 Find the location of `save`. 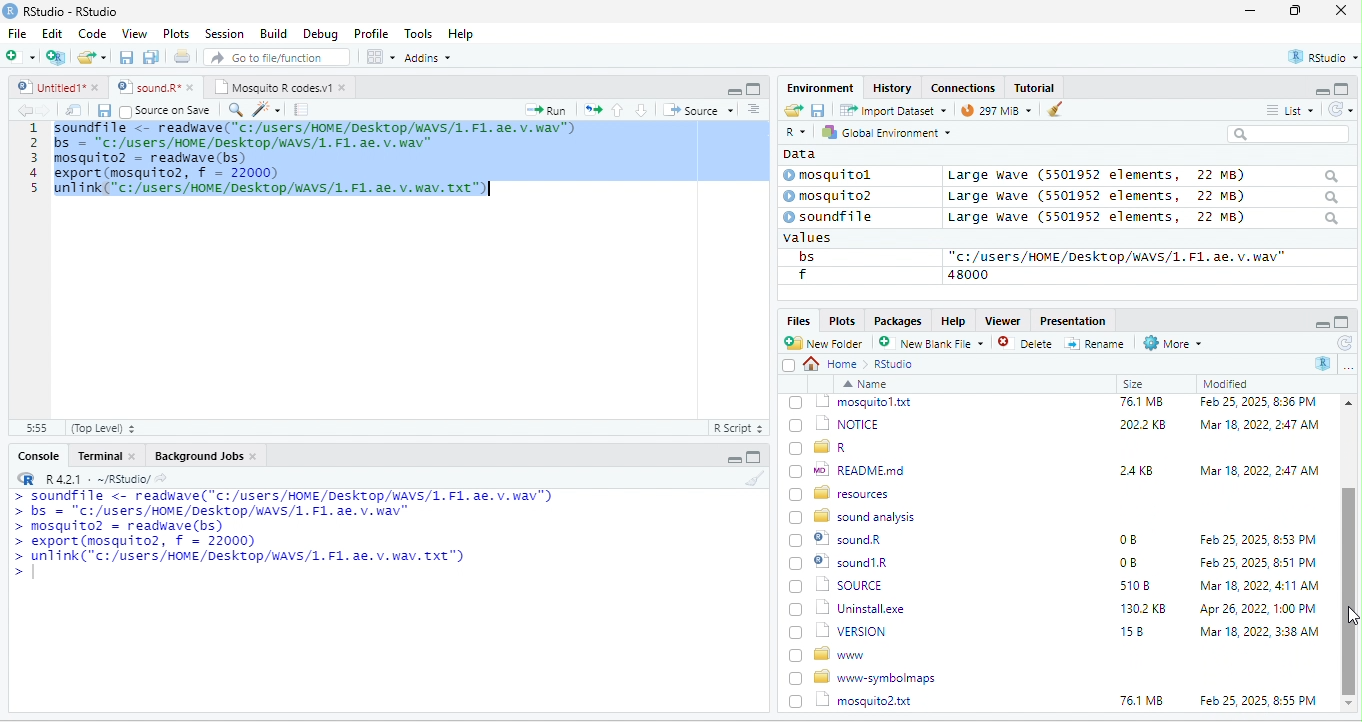

save is located at coordinates (128, 58).